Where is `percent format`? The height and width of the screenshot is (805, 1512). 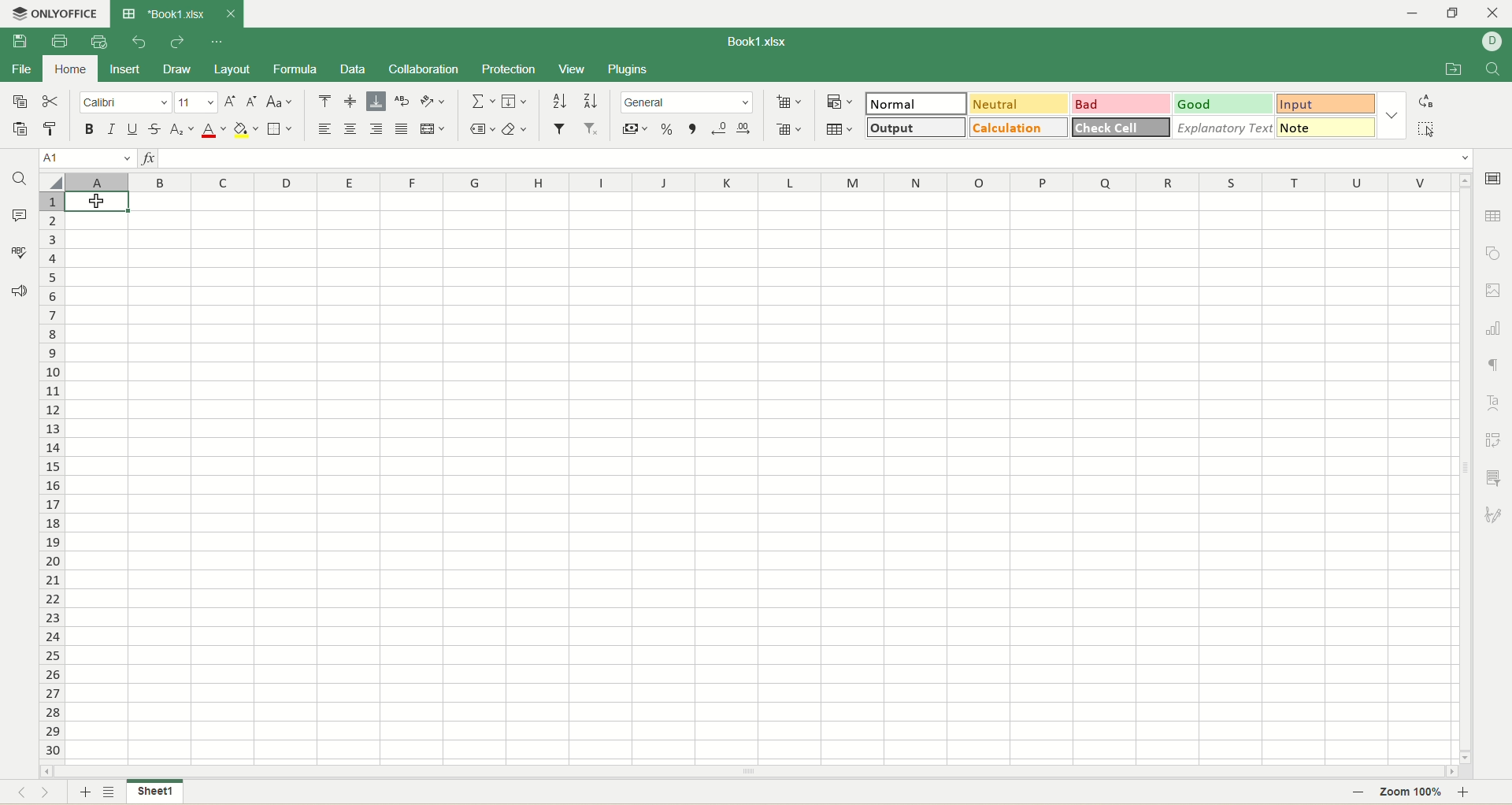 percent format is located at coordinates (667, 127).